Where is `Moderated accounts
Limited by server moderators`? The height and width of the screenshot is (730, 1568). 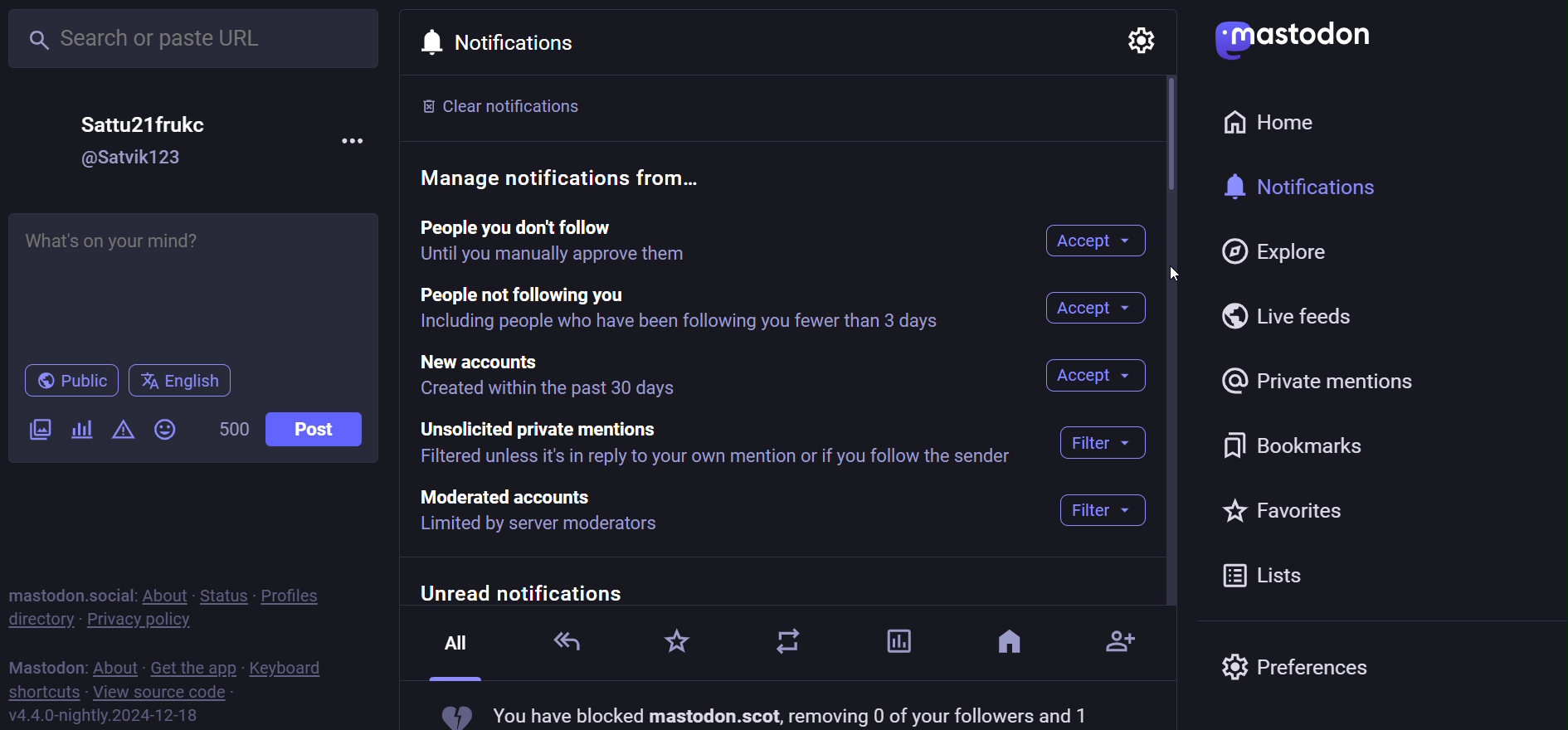 Moderated accounts
Limited by server moderators is located at coordinates (572, 512).